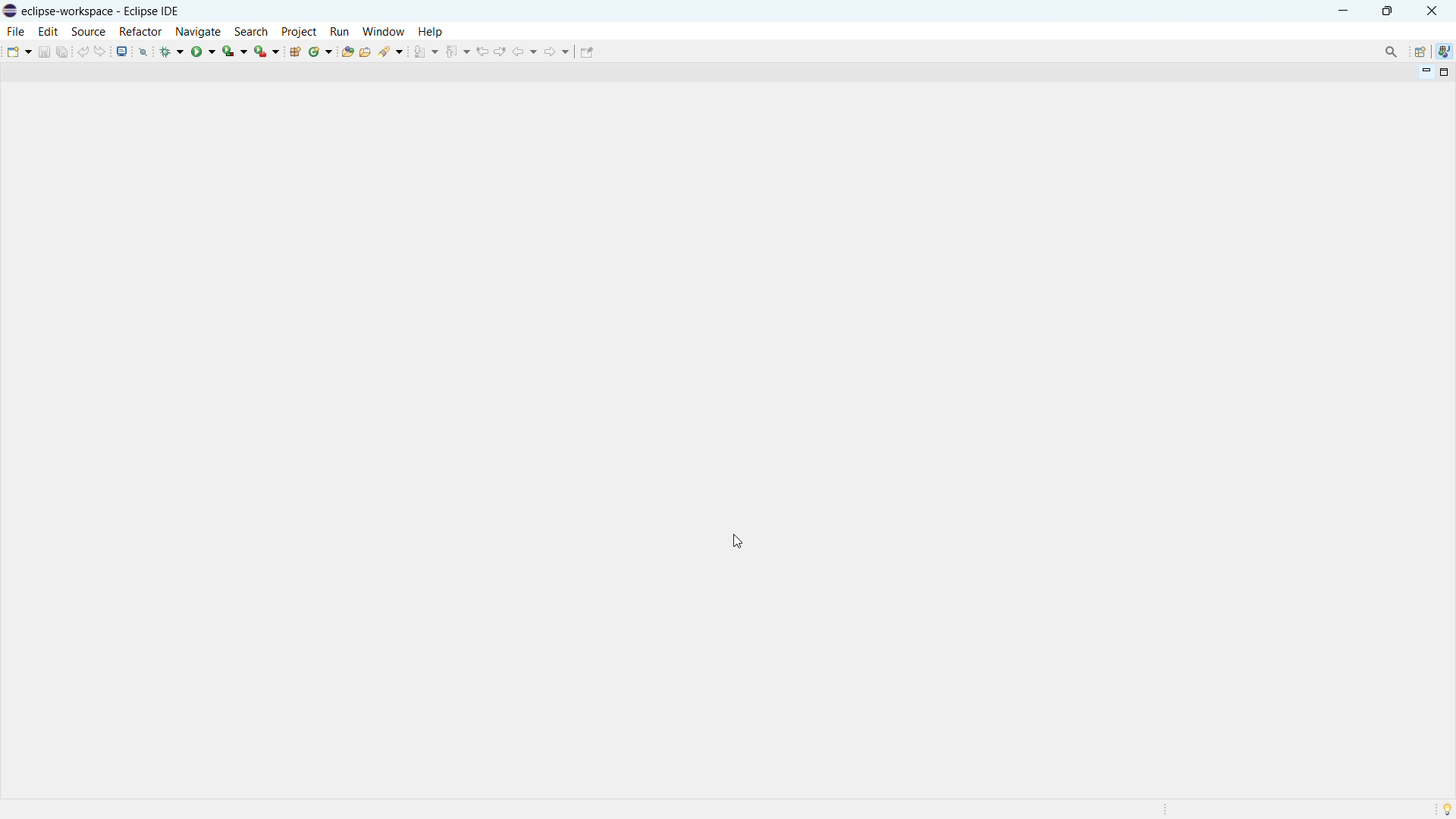 The height and width of the screenshot is (819, 1456). I want to click on new, so click(17, 51).